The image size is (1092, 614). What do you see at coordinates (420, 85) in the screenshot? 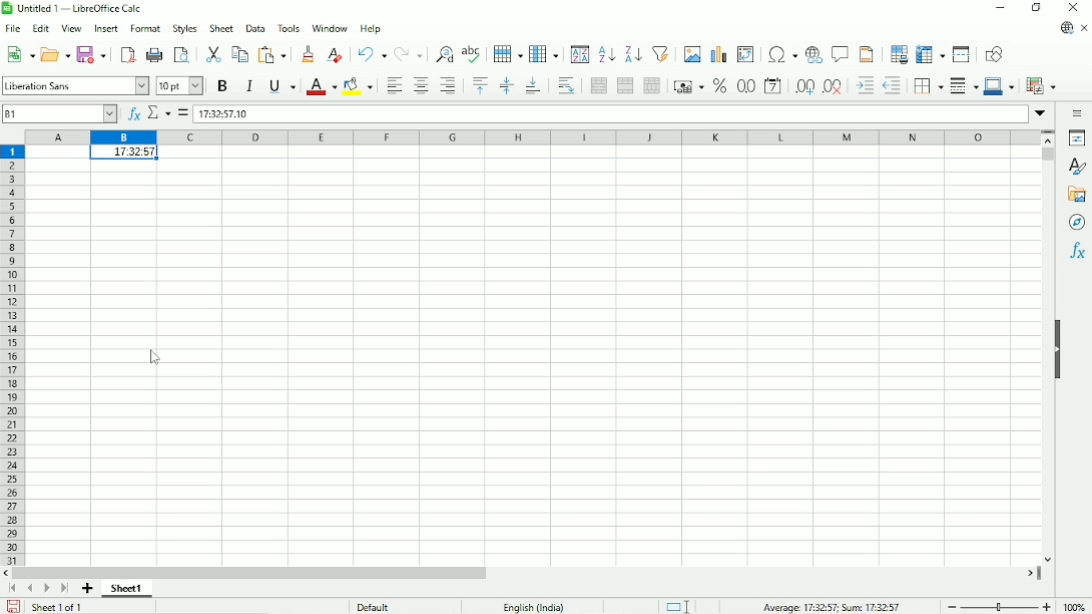
I see `Align center` at bounding box center [420, 85].